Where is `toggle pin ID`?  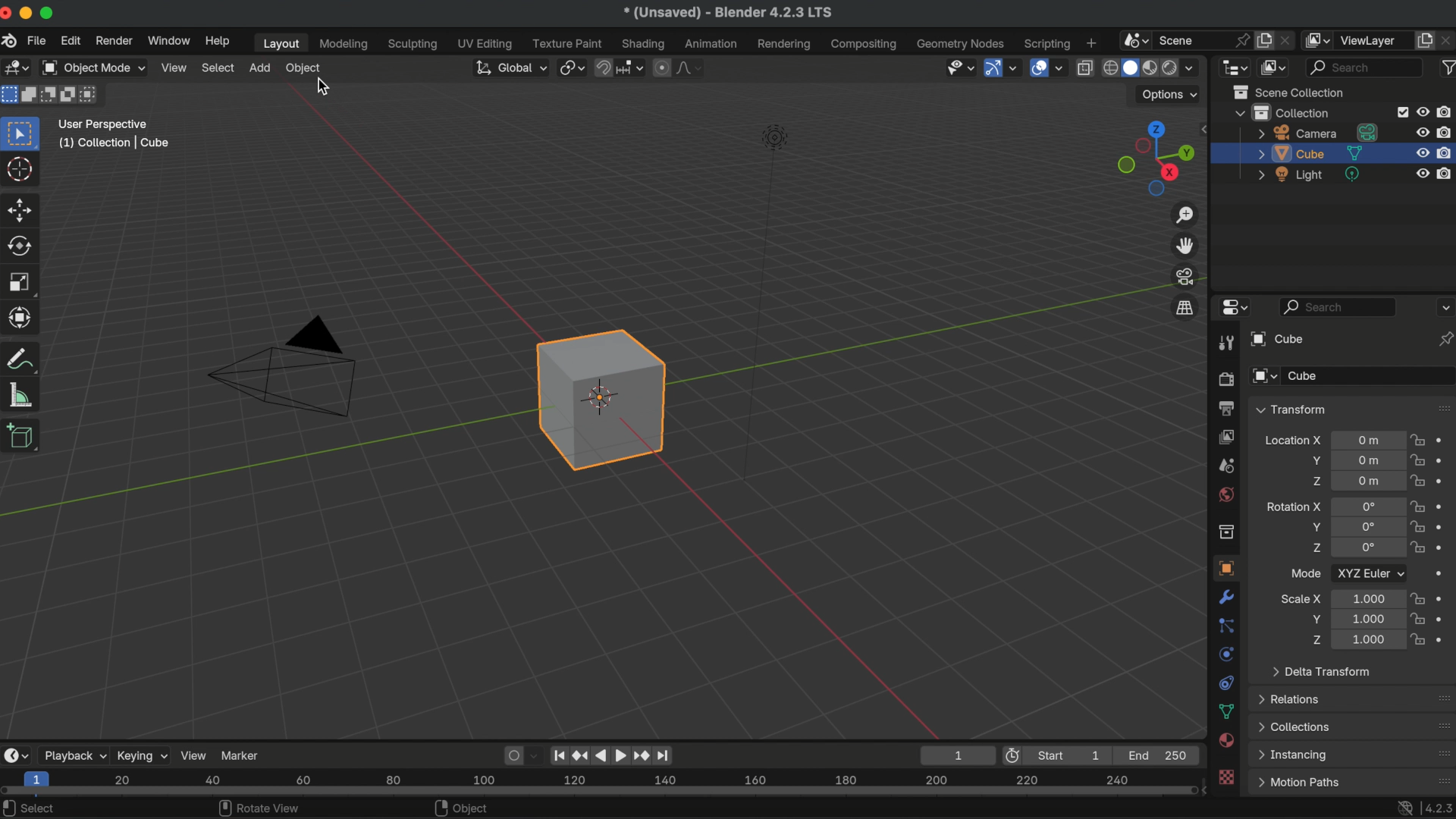
toggle pin ID is located at coordinates (1445, 339).